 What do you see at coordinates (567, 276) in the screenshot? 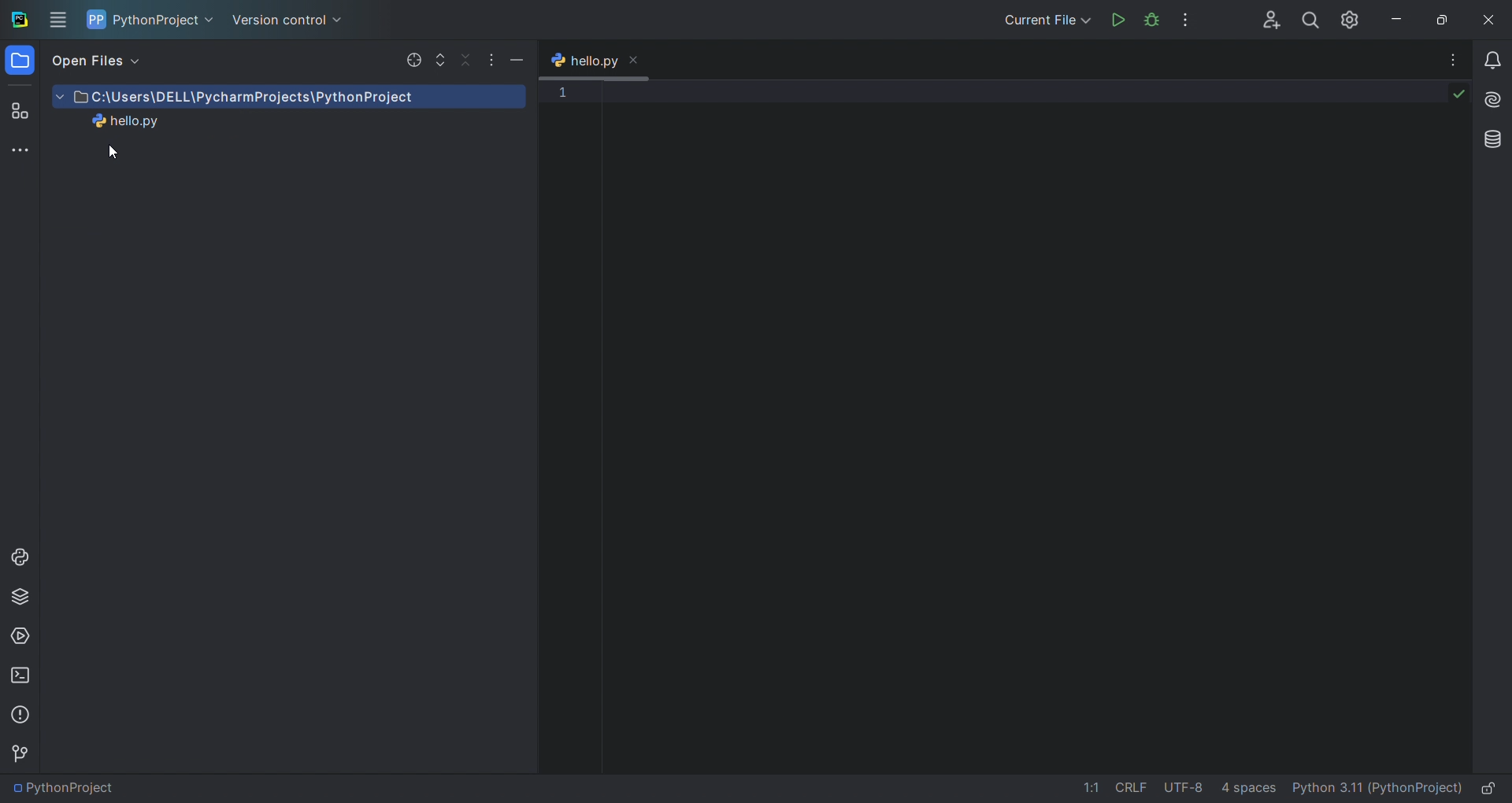
I see `line number` at bounding box center [567, 276].